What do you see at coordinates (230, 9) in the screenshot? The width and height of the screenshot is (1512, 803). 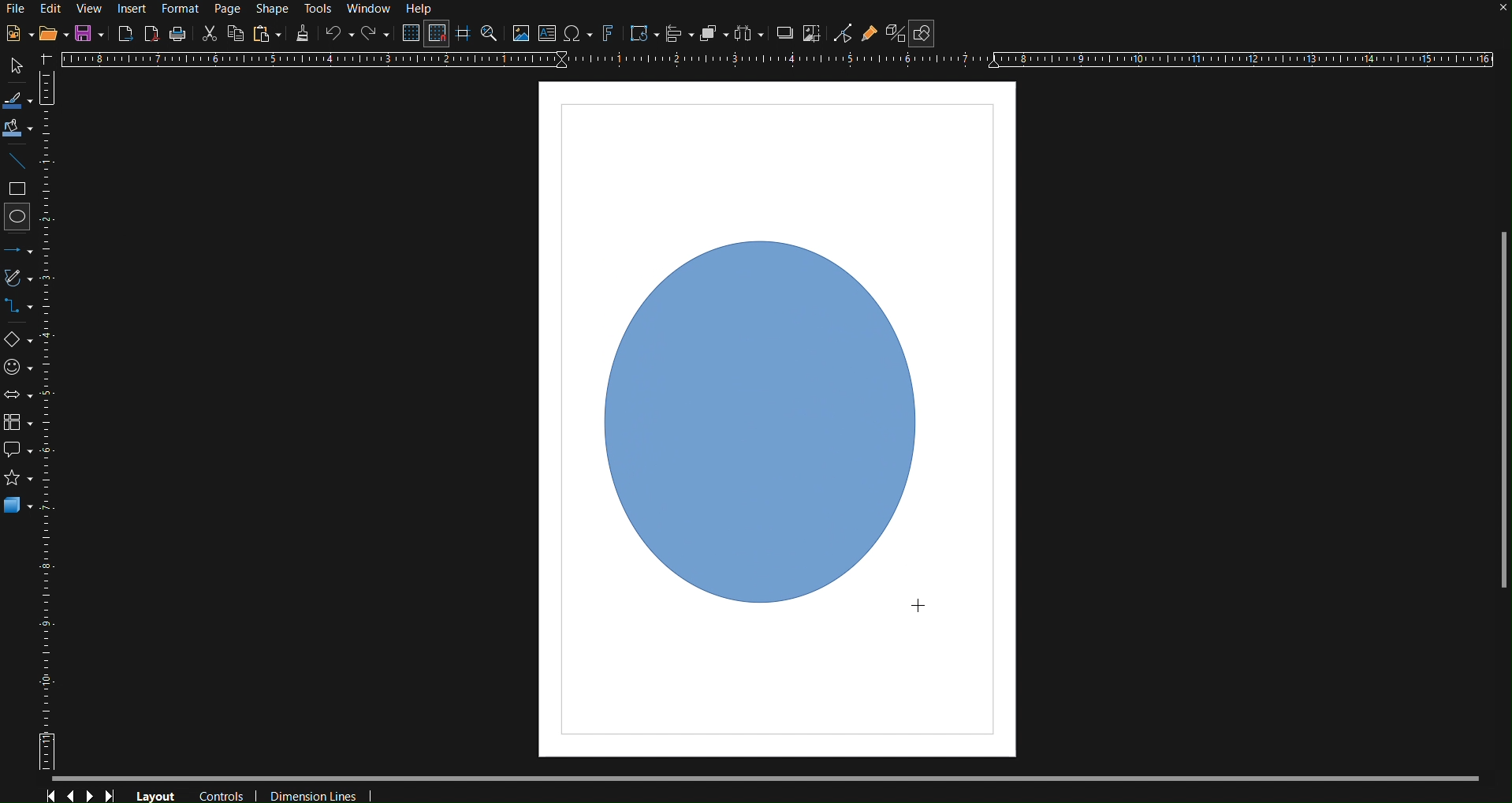 I see `Page` at bounding box center [230, 9].